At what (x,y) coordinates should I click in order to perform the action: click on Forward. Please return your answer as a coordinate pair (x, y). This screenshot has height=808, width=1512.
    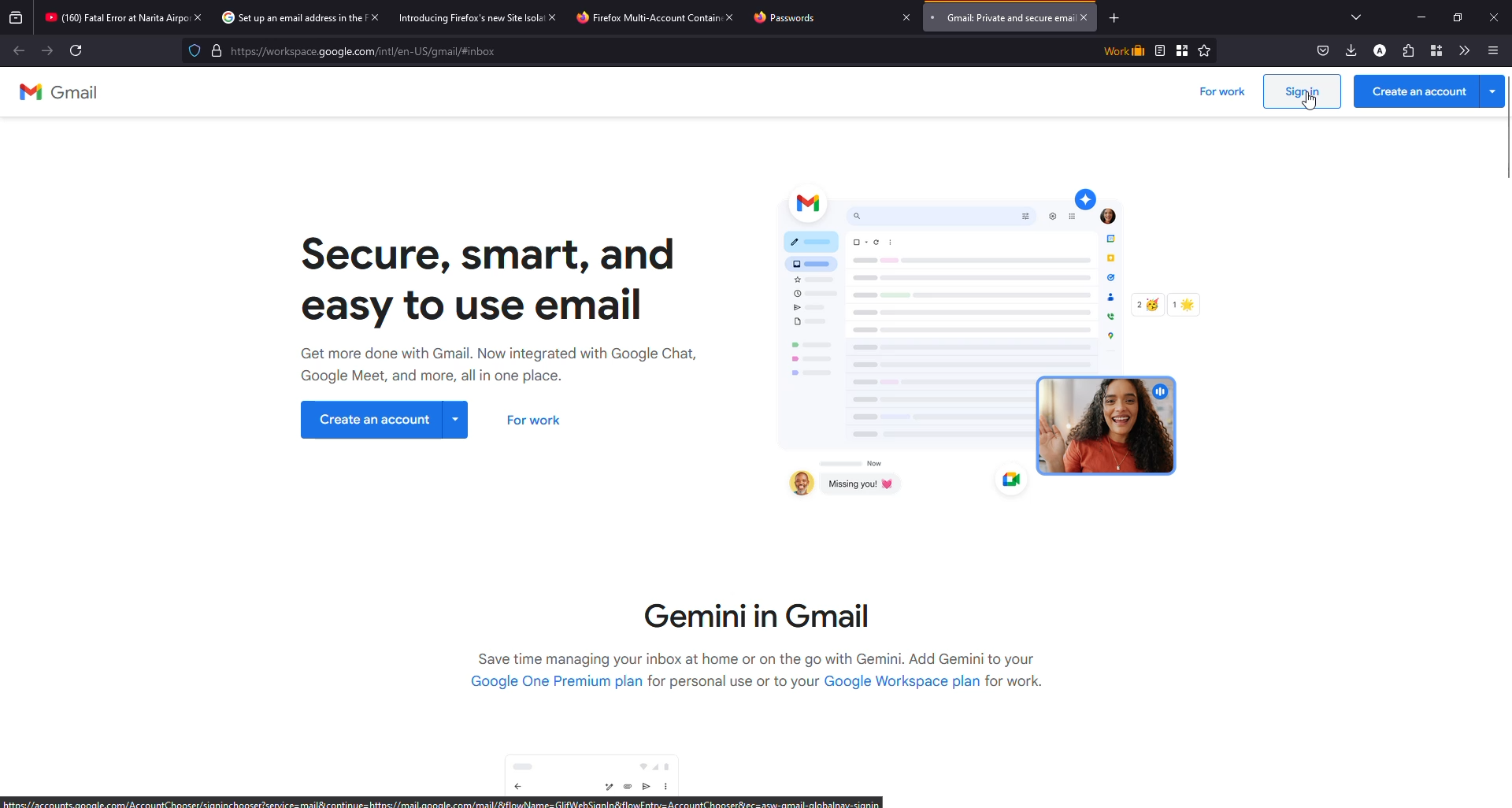
    Looking at the image, I should click on (46, 54).